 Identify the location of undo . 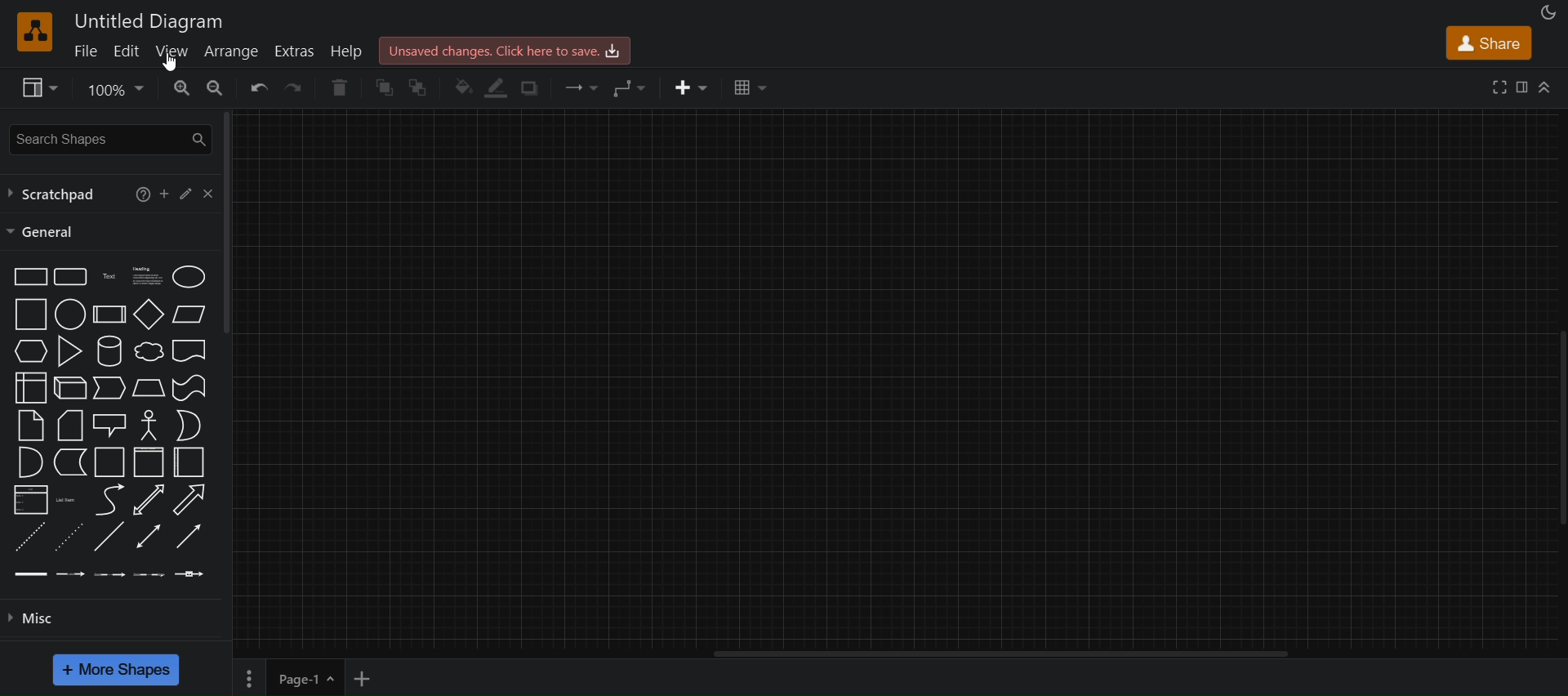
(257, 90).